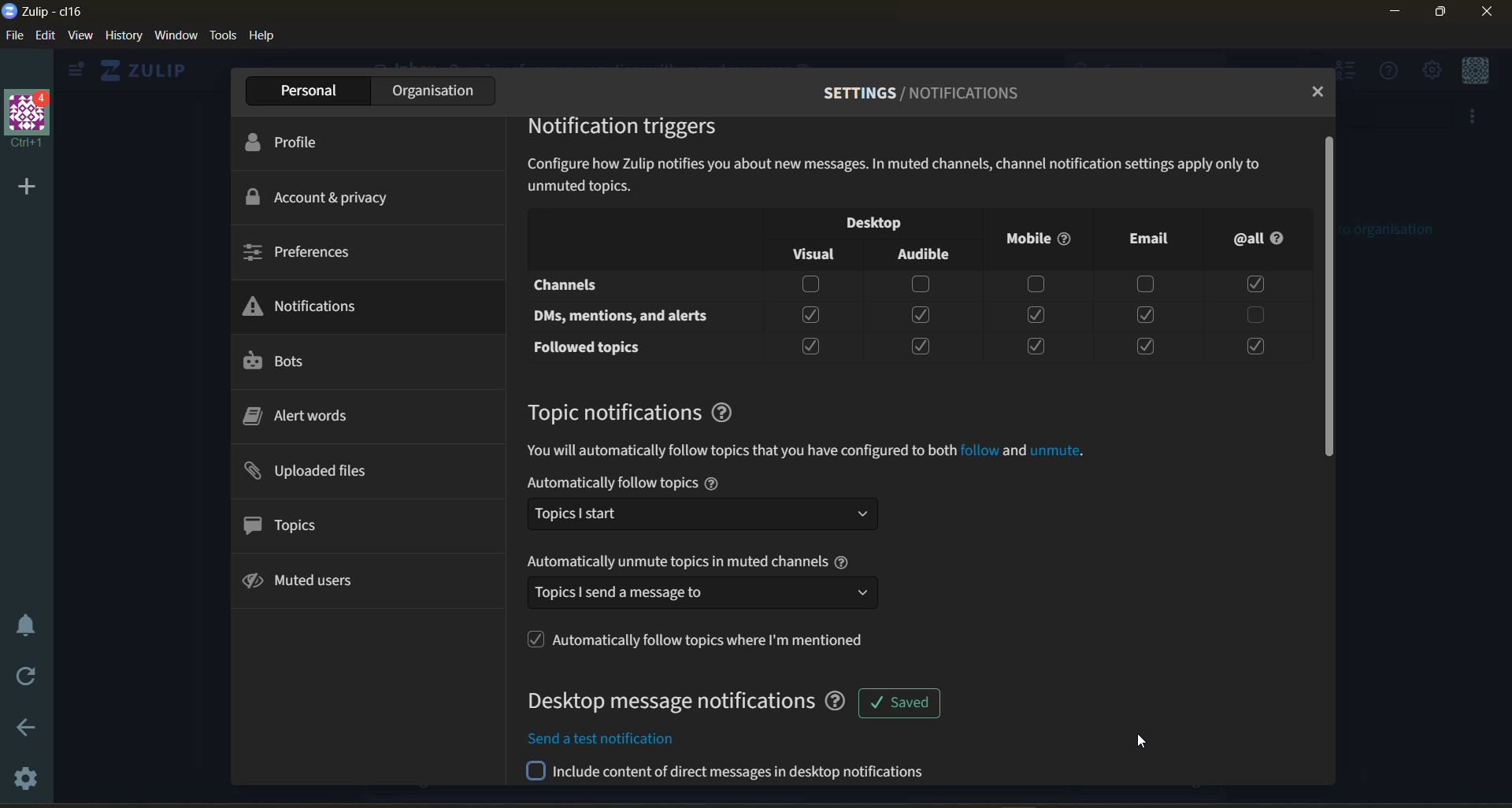  Describe the element at coordinates (1147, 345) in the screenshot. I see `Checkbox` at that location.